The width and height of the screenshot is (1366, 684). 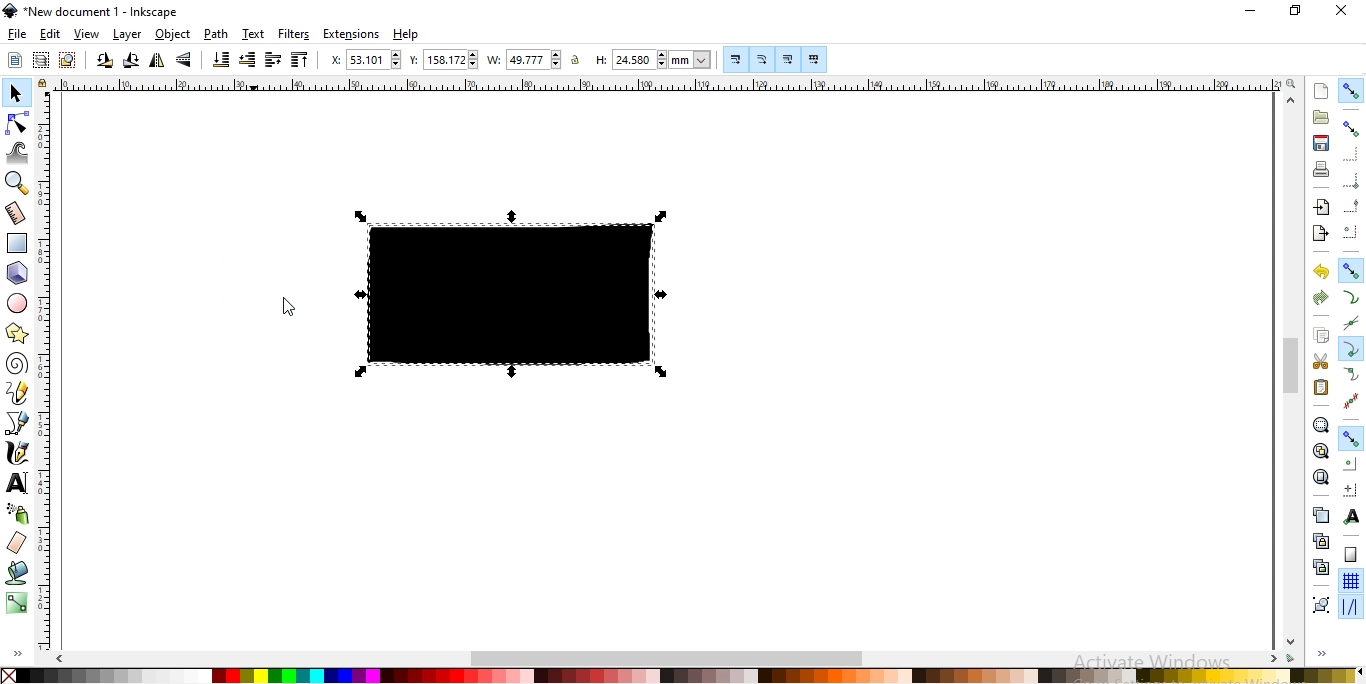 I want to click on snap midpoints of bounding box edges, so click(x=1352, y=204).